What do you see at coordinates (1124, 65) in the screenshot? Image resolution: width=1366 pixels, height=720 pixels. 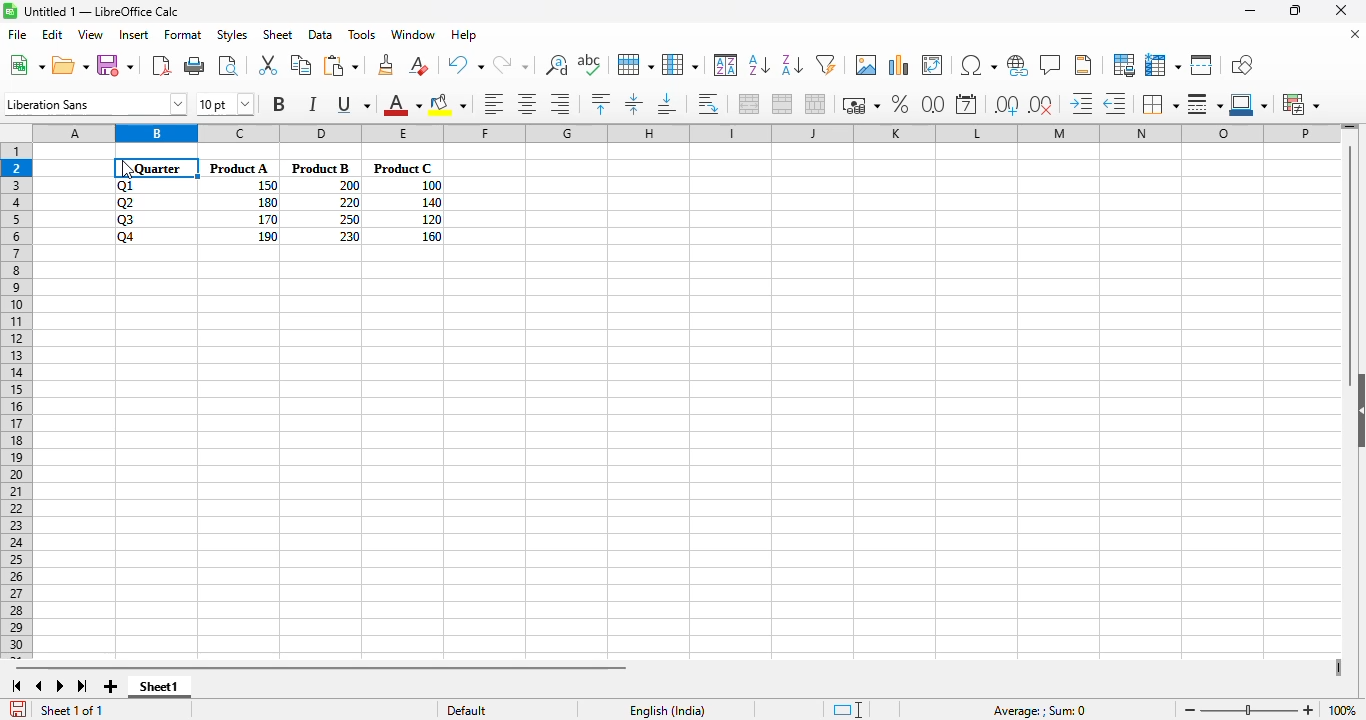 I see `define print area` at bounding box center [1124, 65].